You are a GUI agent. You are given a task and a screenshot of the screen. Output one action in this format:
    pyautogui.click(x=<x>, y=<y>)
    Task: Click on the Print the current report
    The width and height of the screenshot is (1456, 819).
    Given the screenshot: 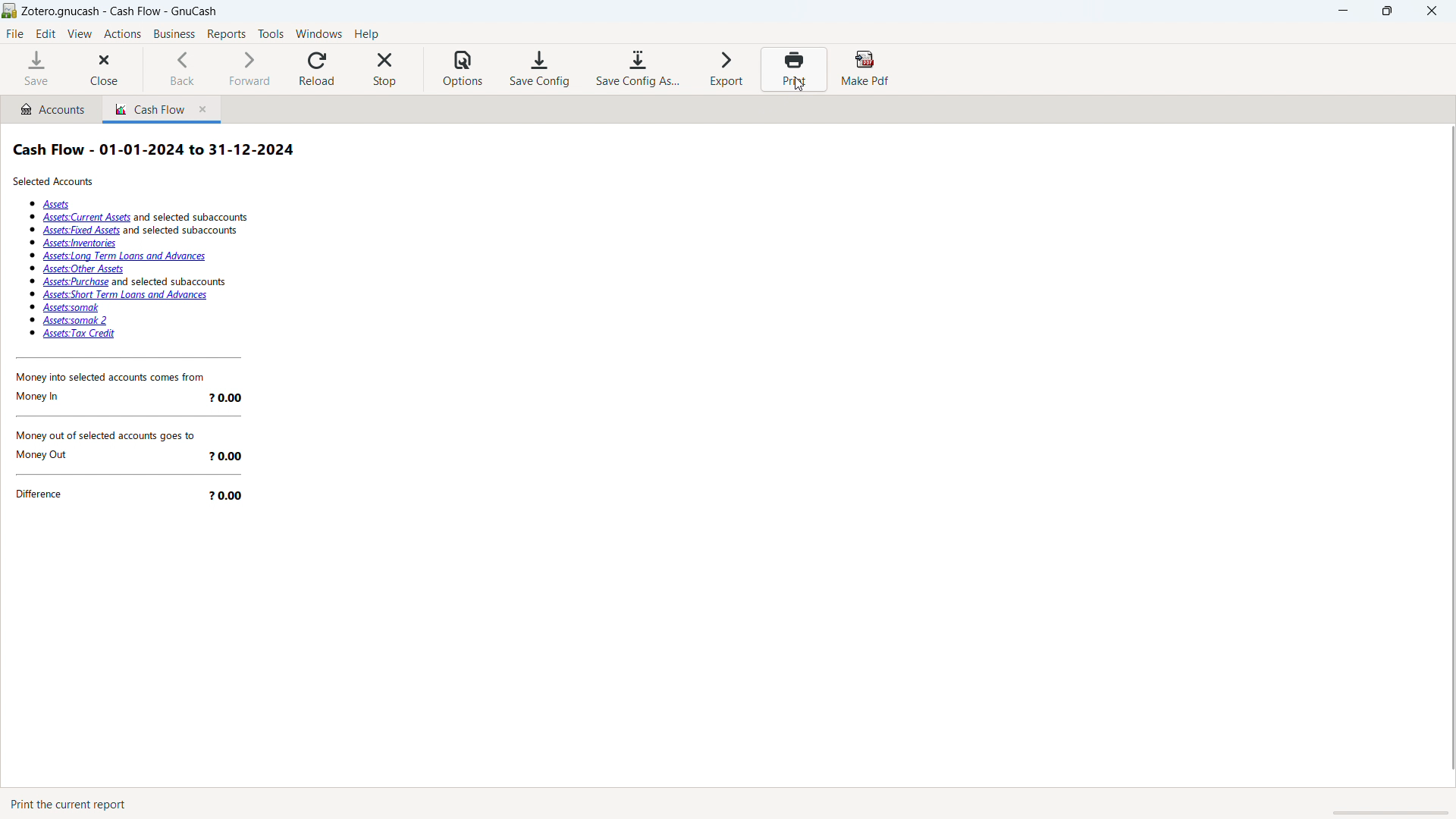 What is the action you would take?
    pyautogui.click(x=74, y=802)
    